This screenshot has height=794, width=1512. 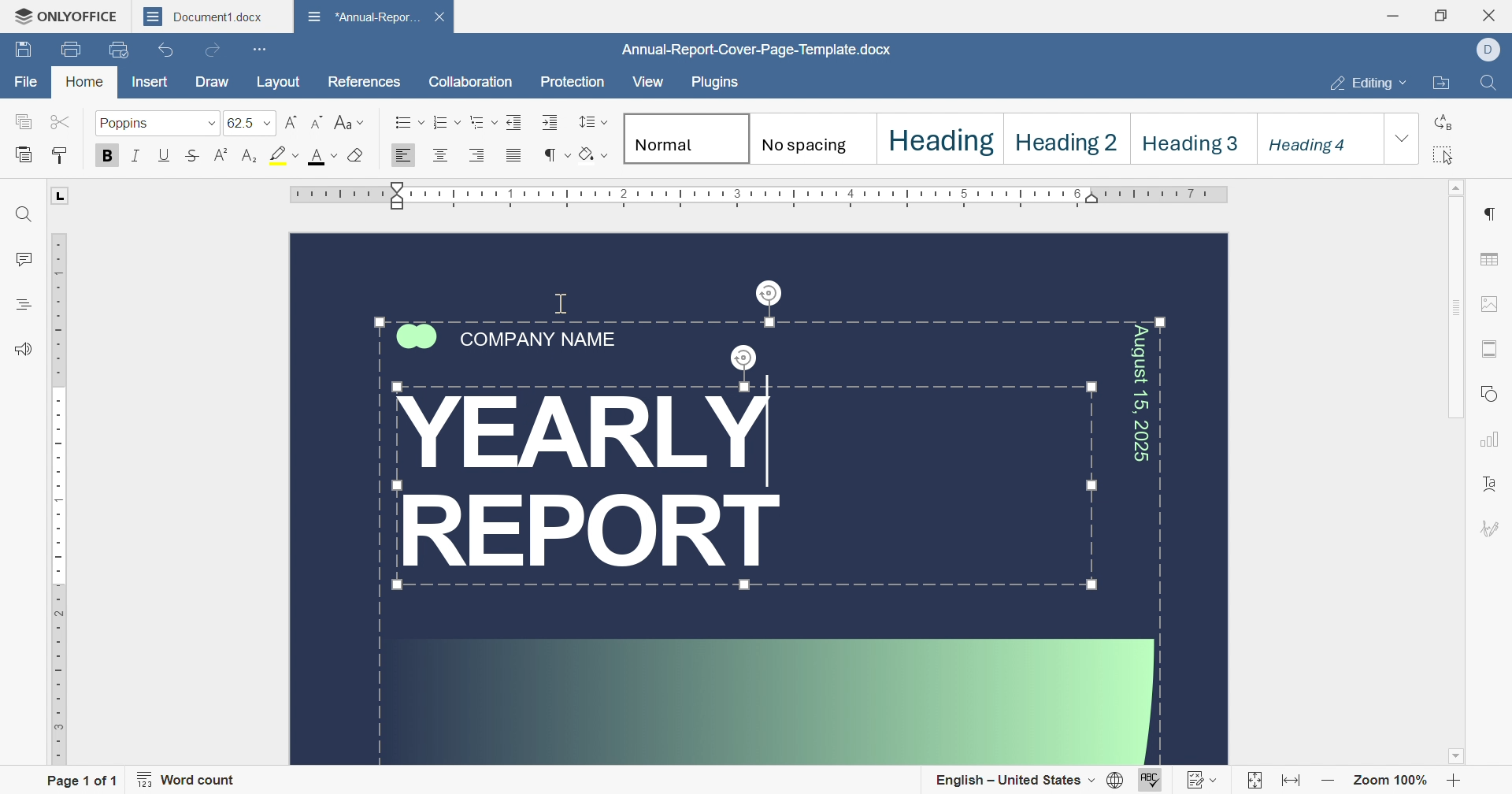 I want to click on font size, so click(x=252, y=123).